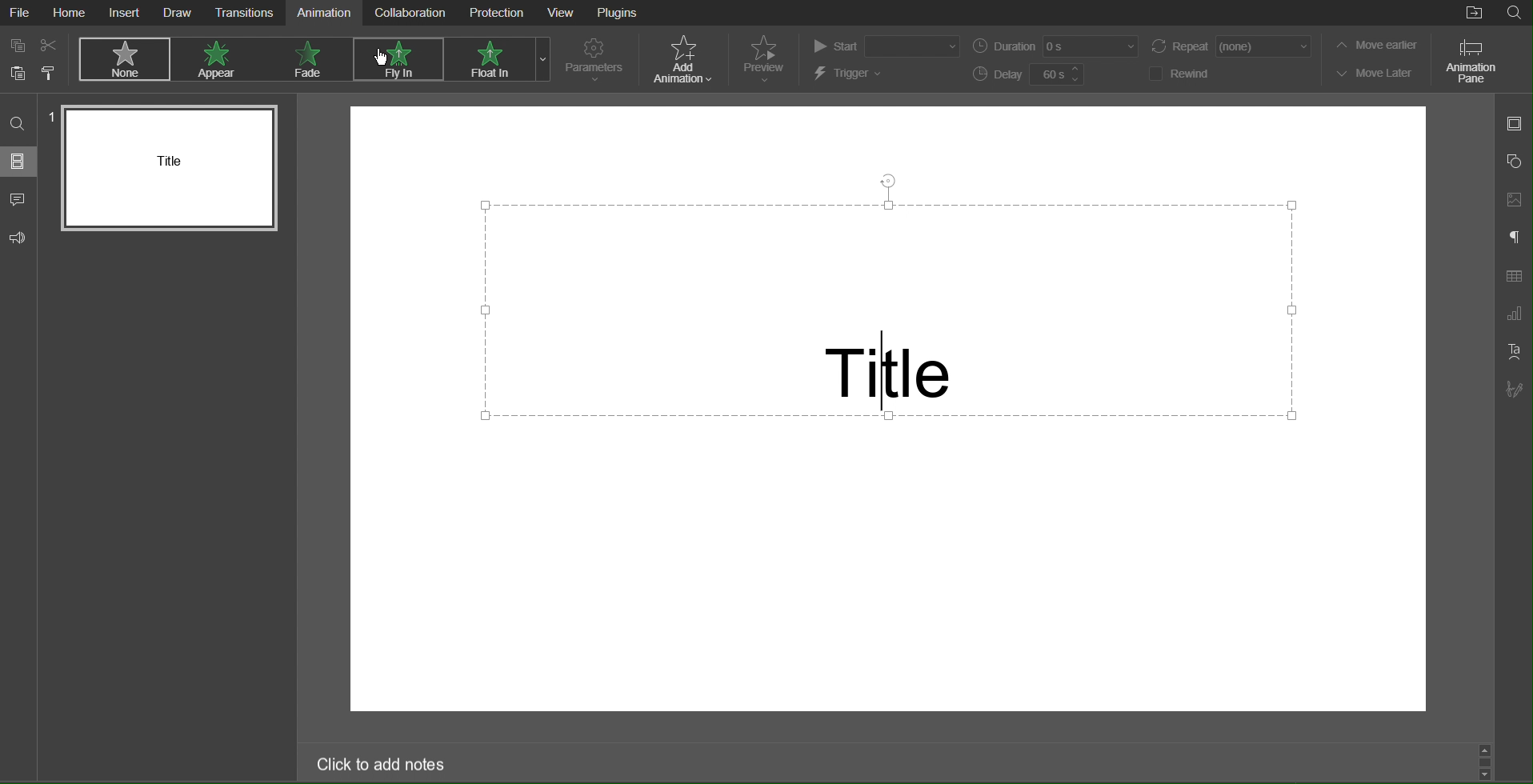 Image resolution: width=1533 pixels, height=784 pixels. What do you see at coordinates (20, 163) in the screenshot?
I see `Slides` at bounding box center [20, 163].